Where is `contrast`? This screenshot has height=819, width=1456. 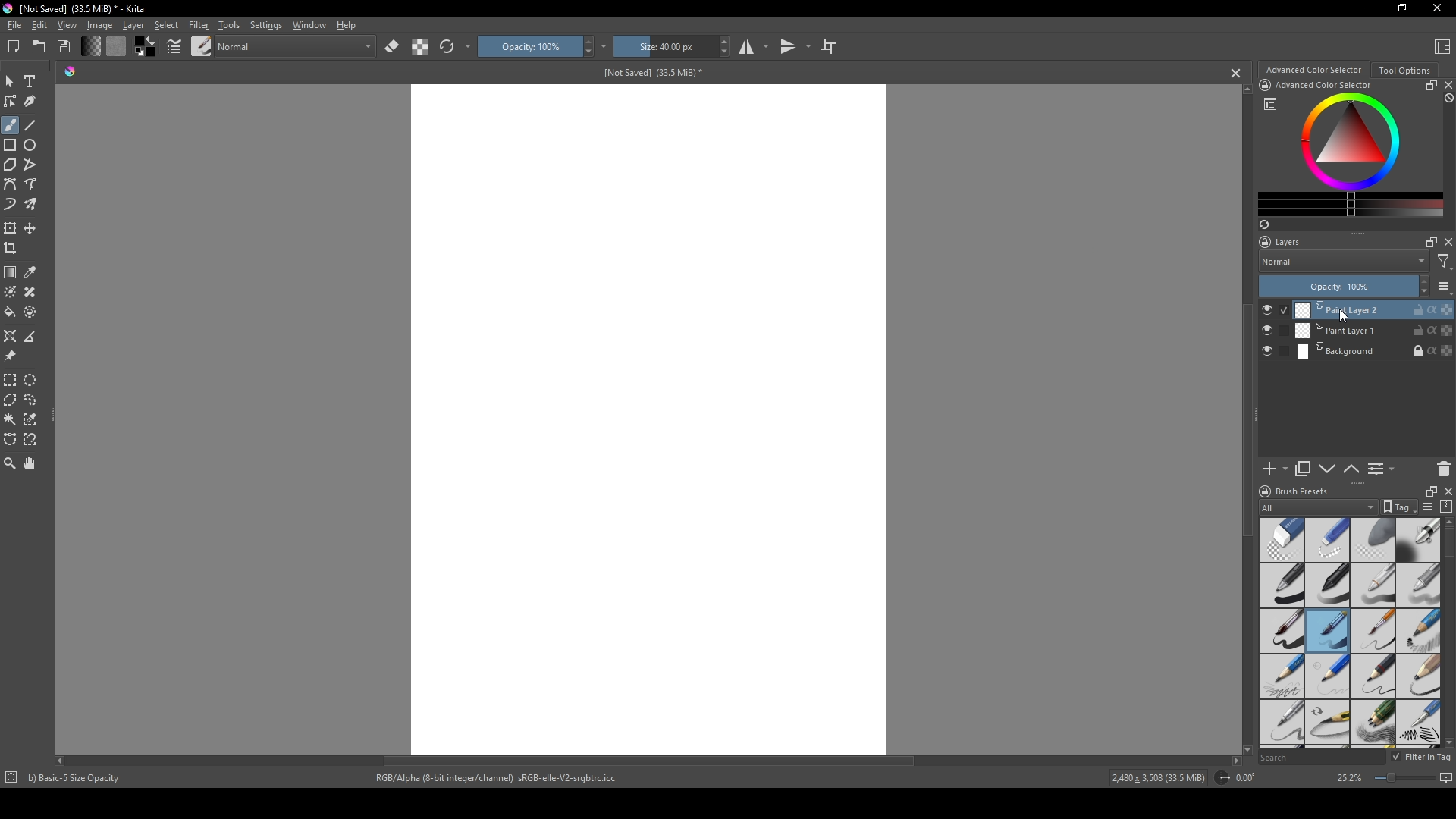
contrast is located at coordinates (419, 46).